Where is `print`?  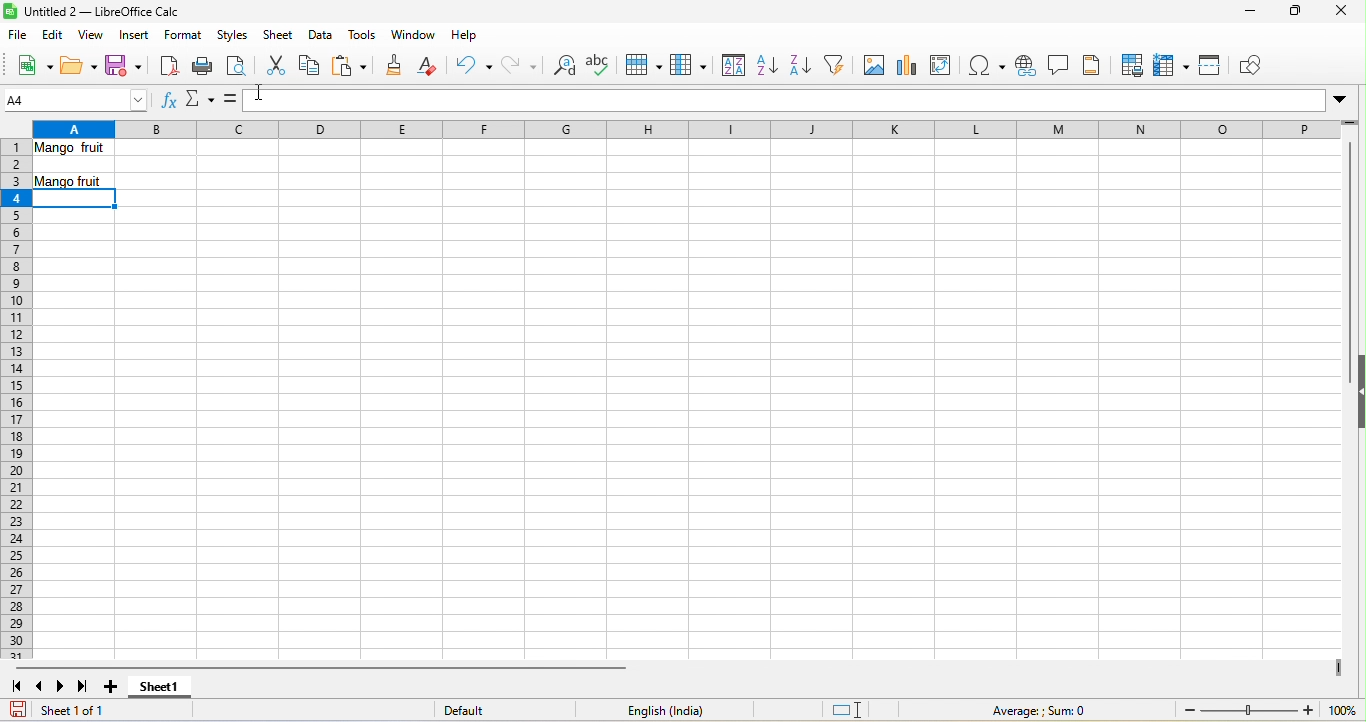
print is located at coordinates (202, 66).